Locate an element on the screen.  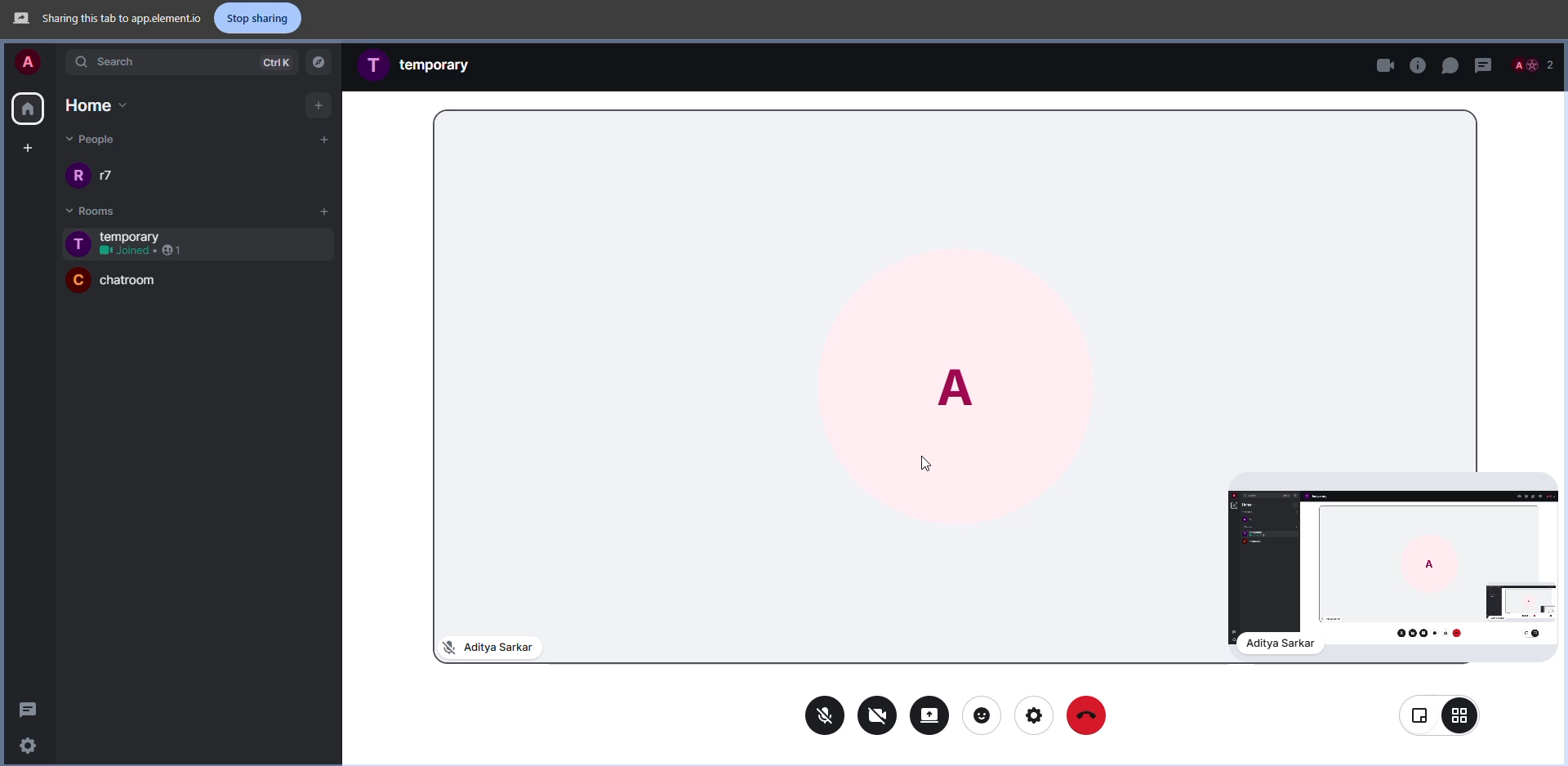
add is located at coordinates (323, 139).